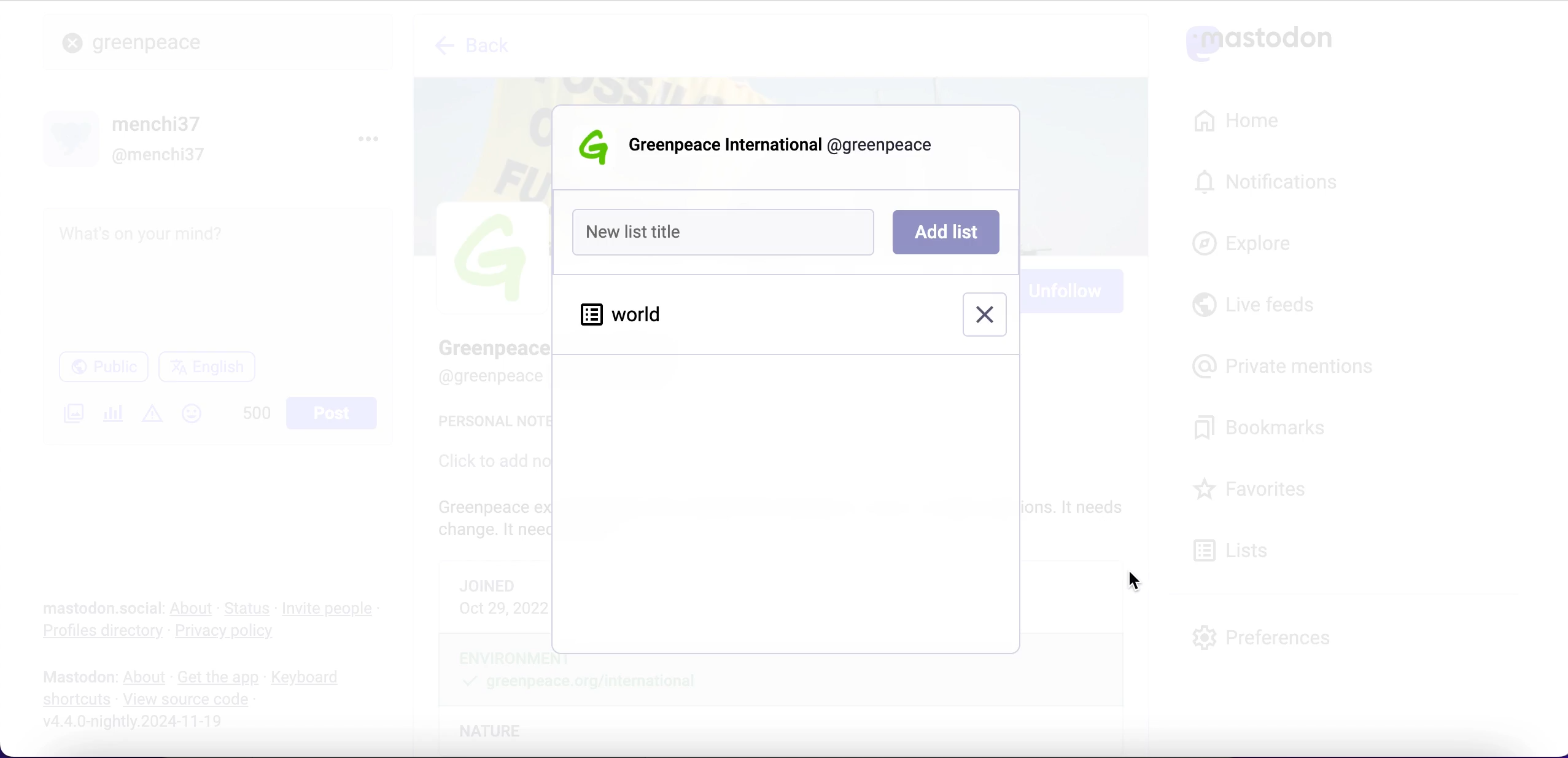 The height and width of the screenshot is (758, 1568). I want to click on status, so click(249, 608).